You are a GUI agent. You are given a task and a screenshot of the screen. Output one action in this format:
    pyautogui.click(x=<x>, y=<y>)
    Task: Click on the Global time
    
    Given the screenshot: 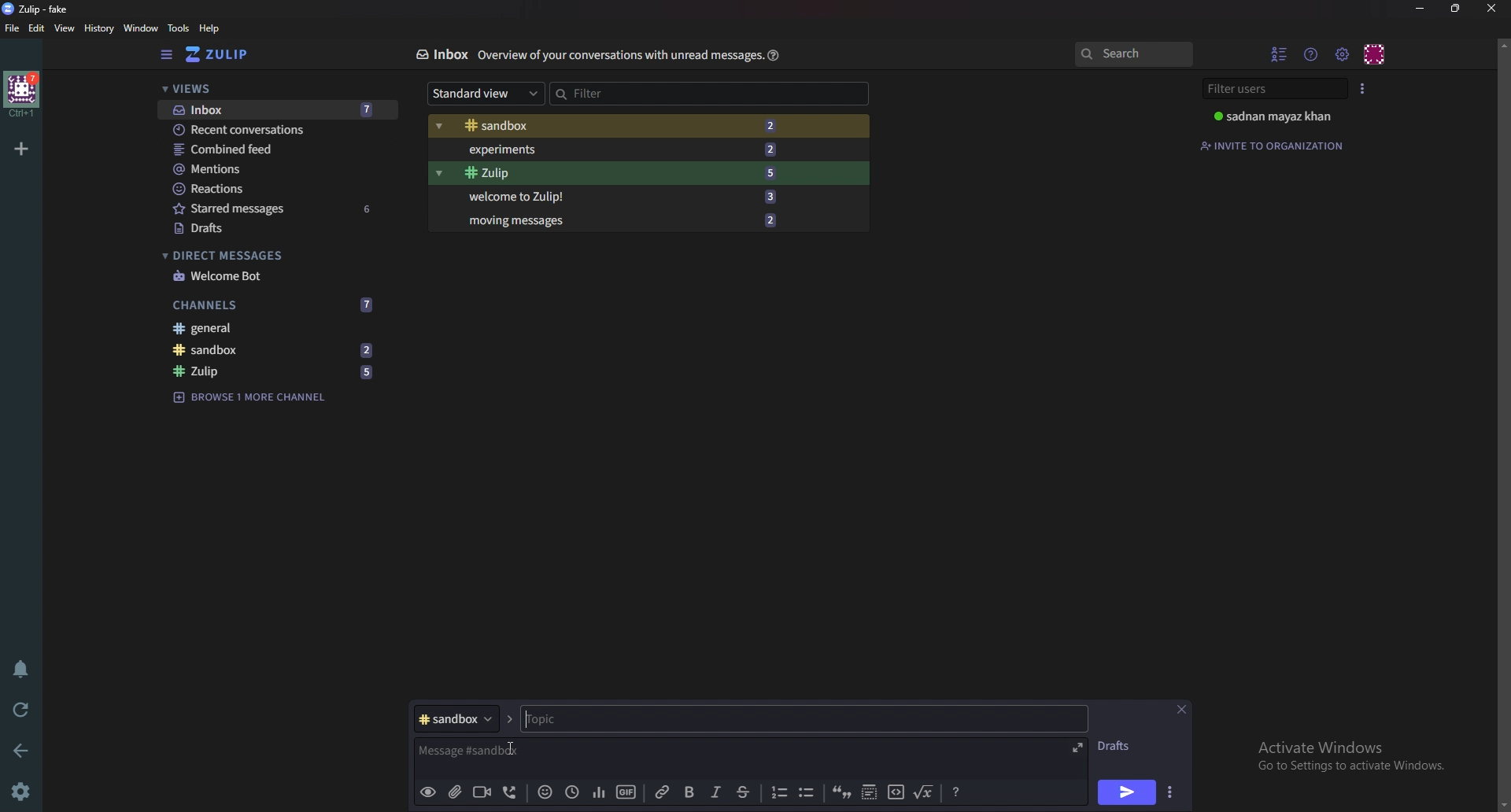 What is the action you would take?
    pyautogui.click(x=571, y=792)
    